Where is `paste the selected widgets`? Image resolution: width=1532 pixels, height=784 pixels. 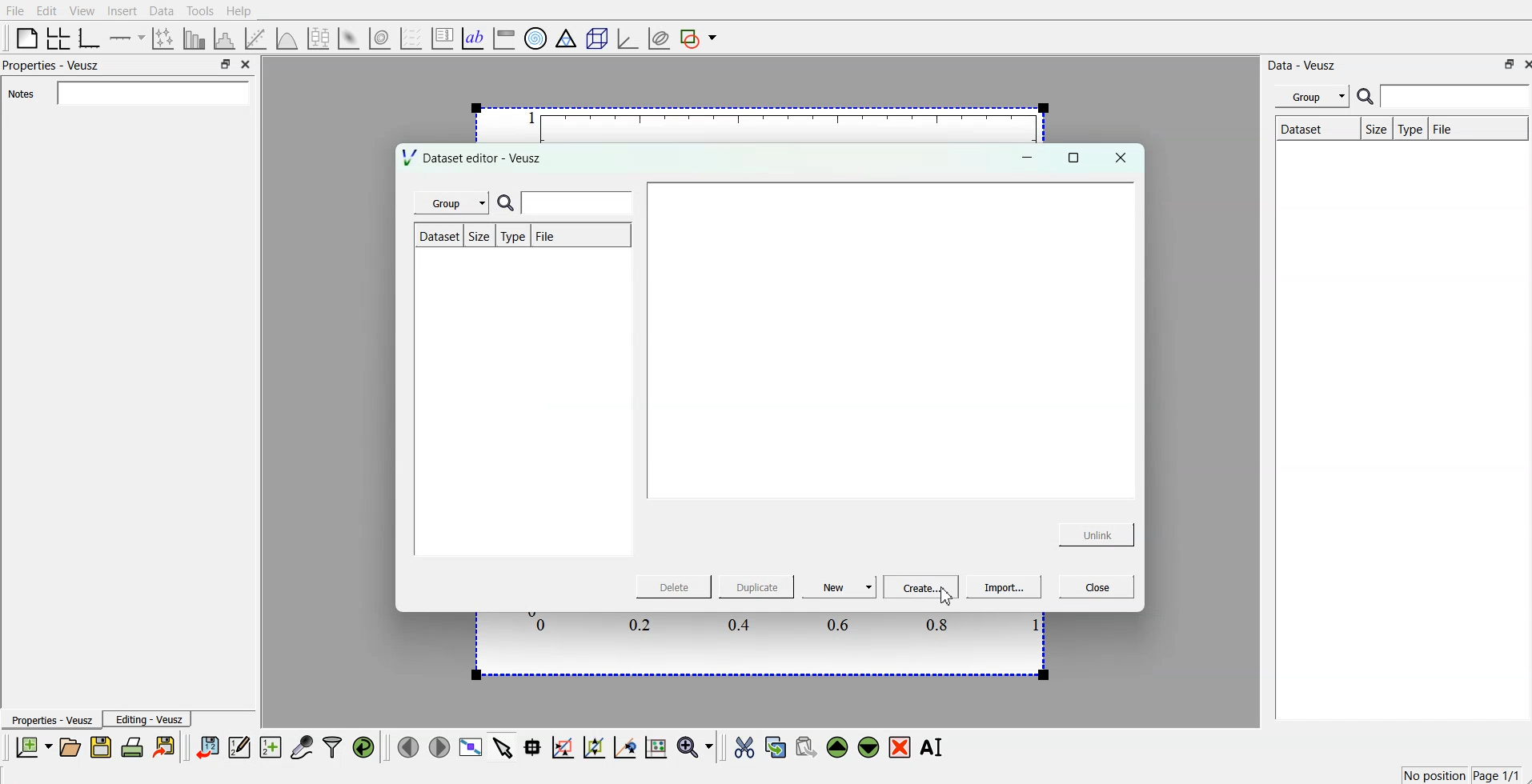
paste the selected widgets is located at coordinates (806, 748).